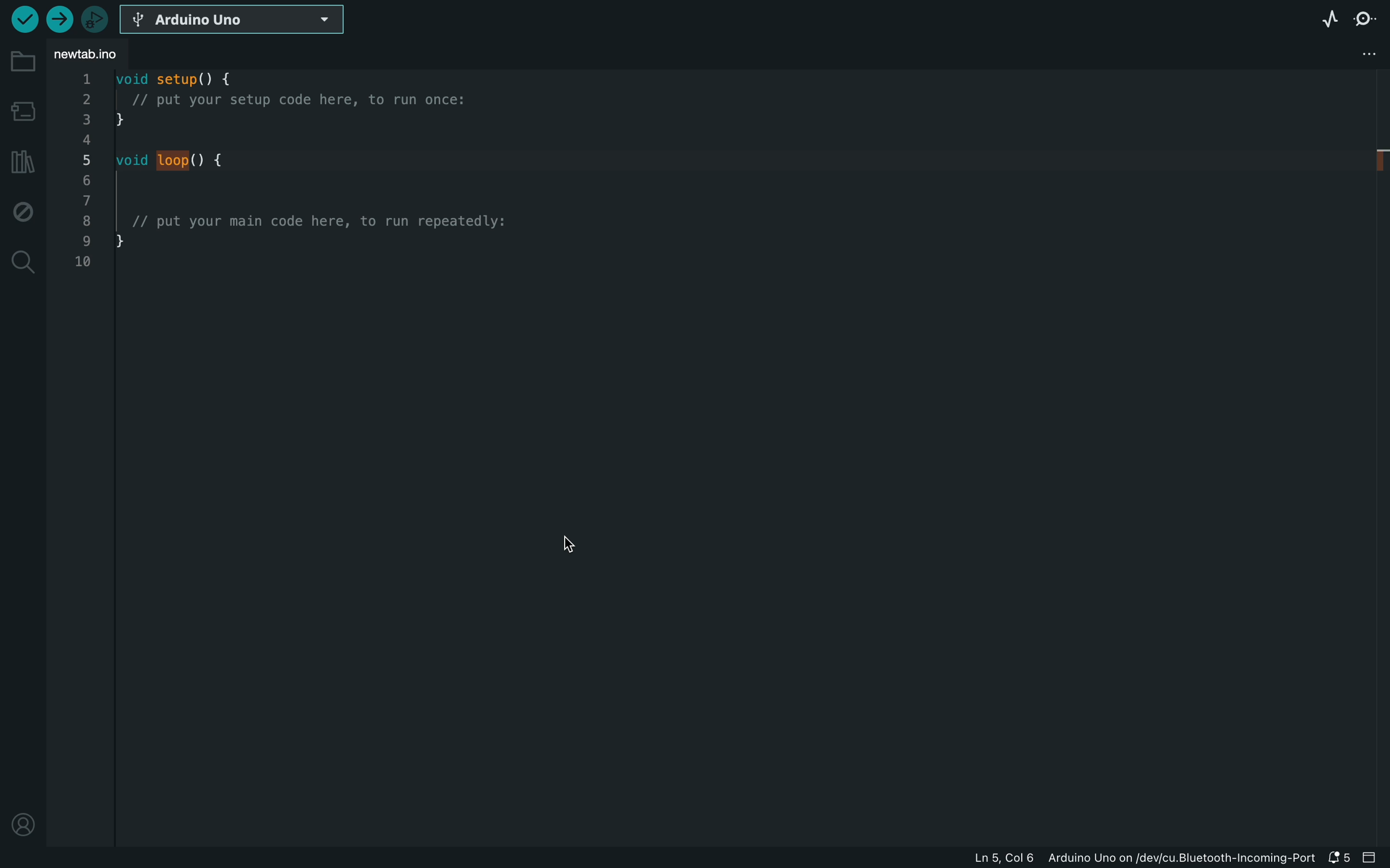 This screenshot has width=1390, height=868. What do you see at coordinates (22, 106) in the screenshot?
I see `board manager` at bounding box center [22, 106].